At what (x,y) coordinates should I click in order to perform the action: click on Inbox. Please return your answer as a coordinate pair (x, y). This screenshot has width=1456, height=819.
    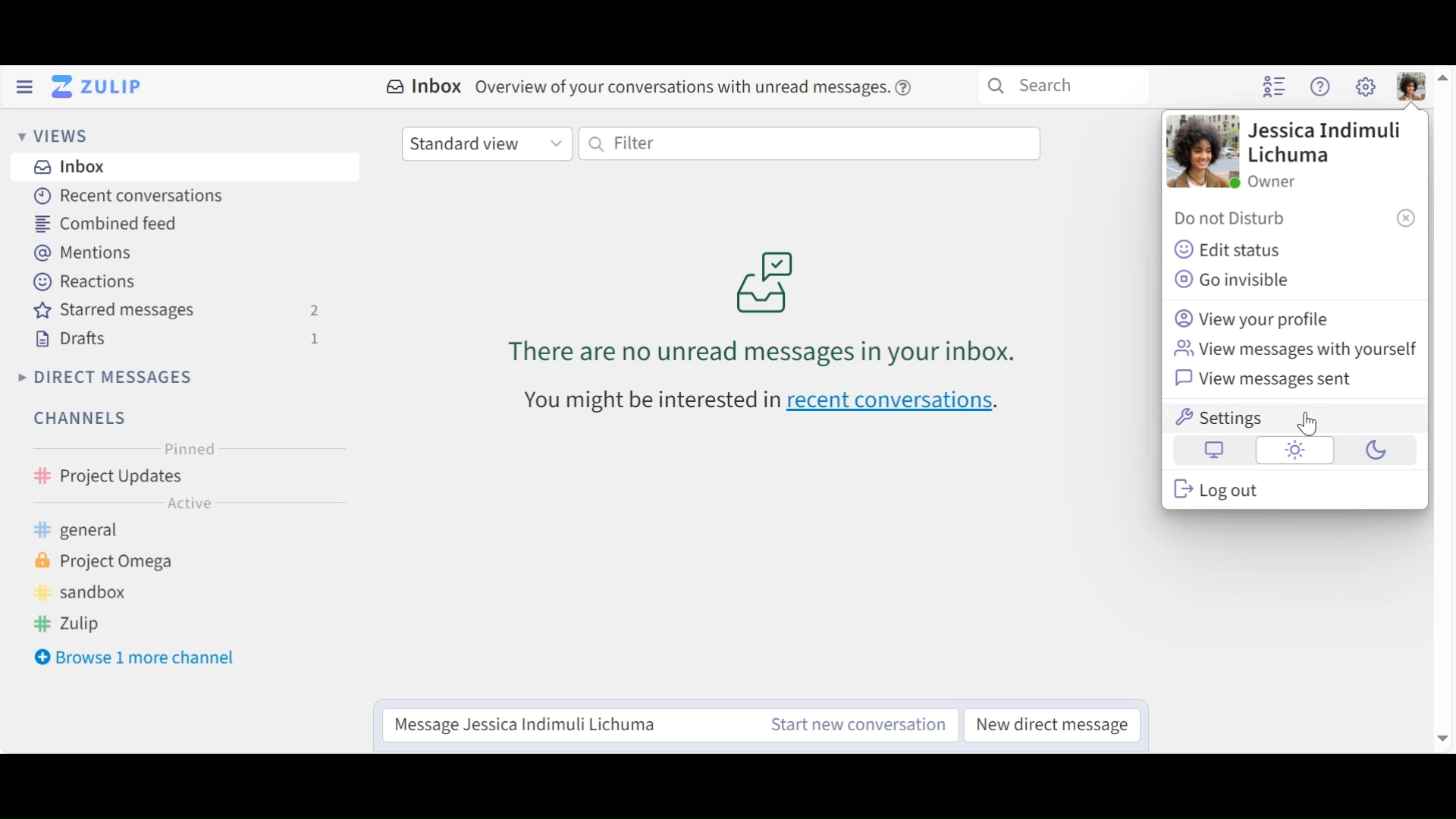
    Looking at the image, I should click on (654, 89).